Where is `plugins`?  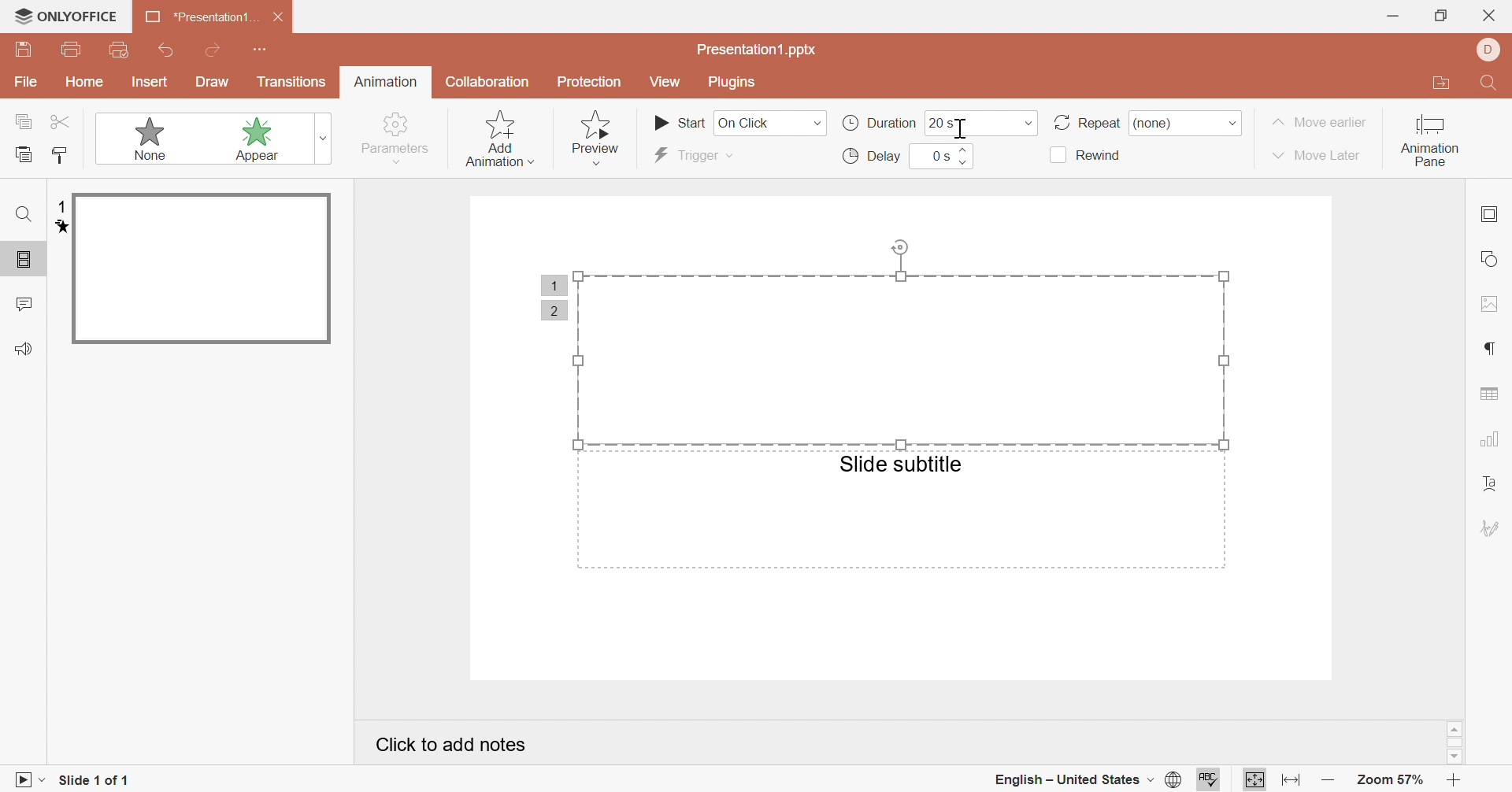
plugins is located at coordinates (732, 83).